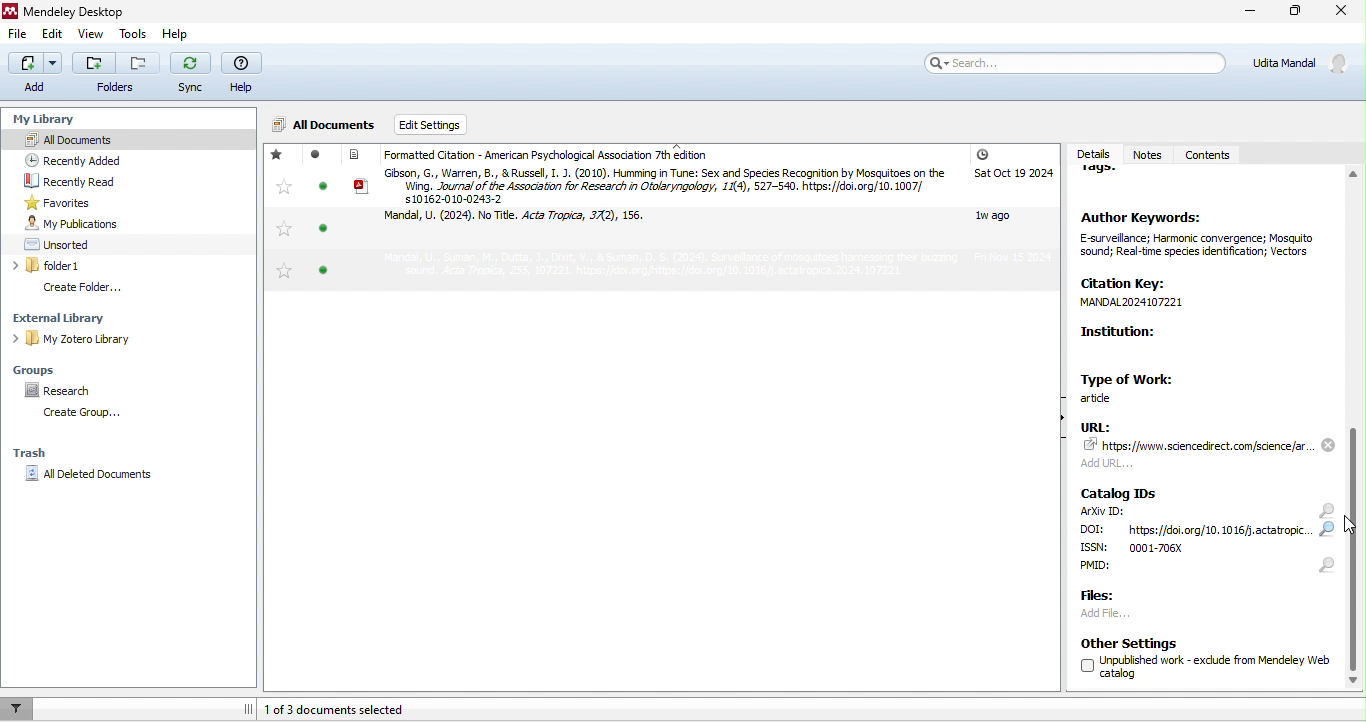 The image size is (1366, 722). What do you see at coordinates (117, 75) in the screenshot?
I see `folders` at bounding box center [117, 75].